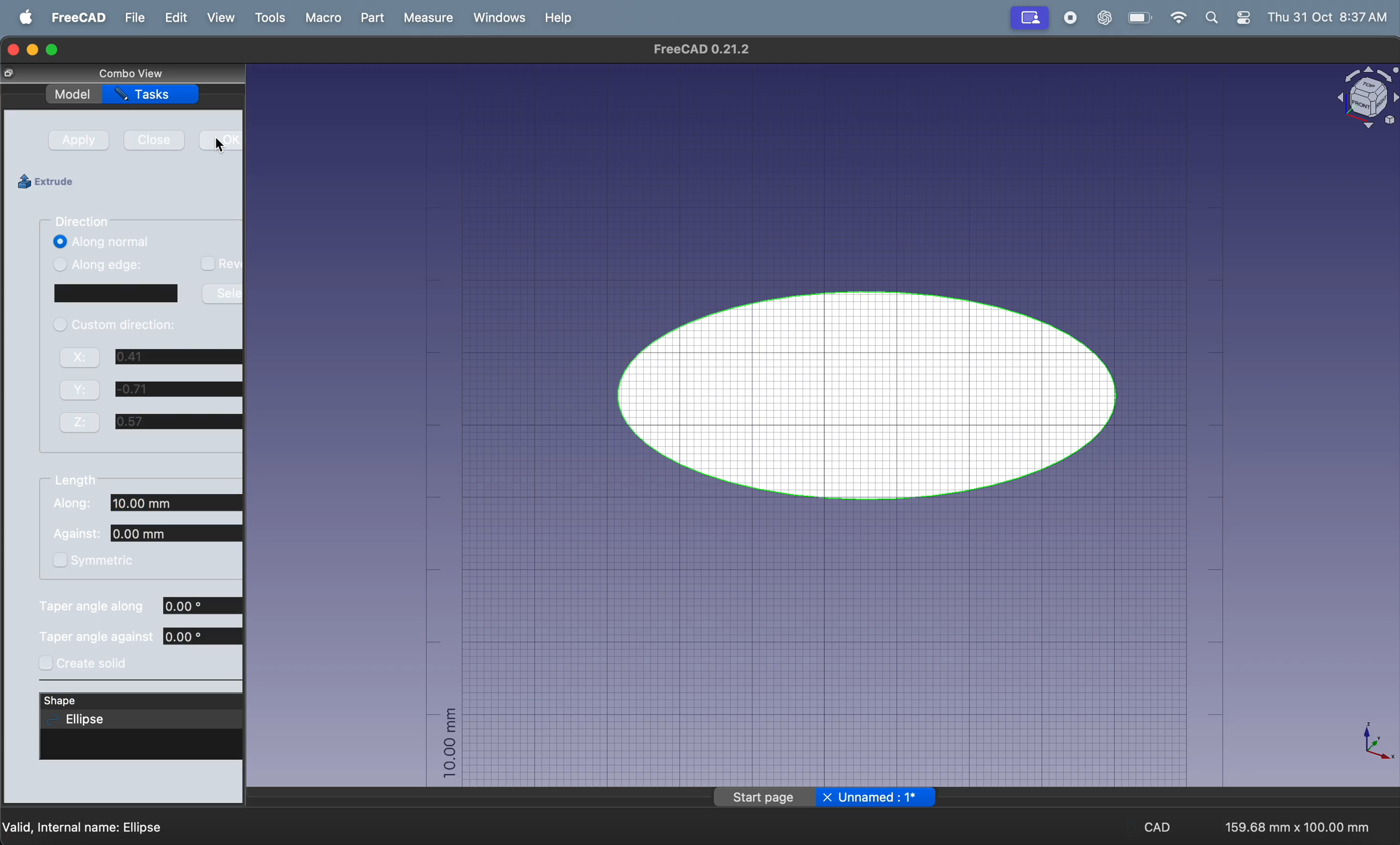 Image resolution: width=1400 pixels, height=845 pixels. What do you see at coordinates (115, 329) in the screenshot?
I see `custom direction` at bounding box center [115, 329].